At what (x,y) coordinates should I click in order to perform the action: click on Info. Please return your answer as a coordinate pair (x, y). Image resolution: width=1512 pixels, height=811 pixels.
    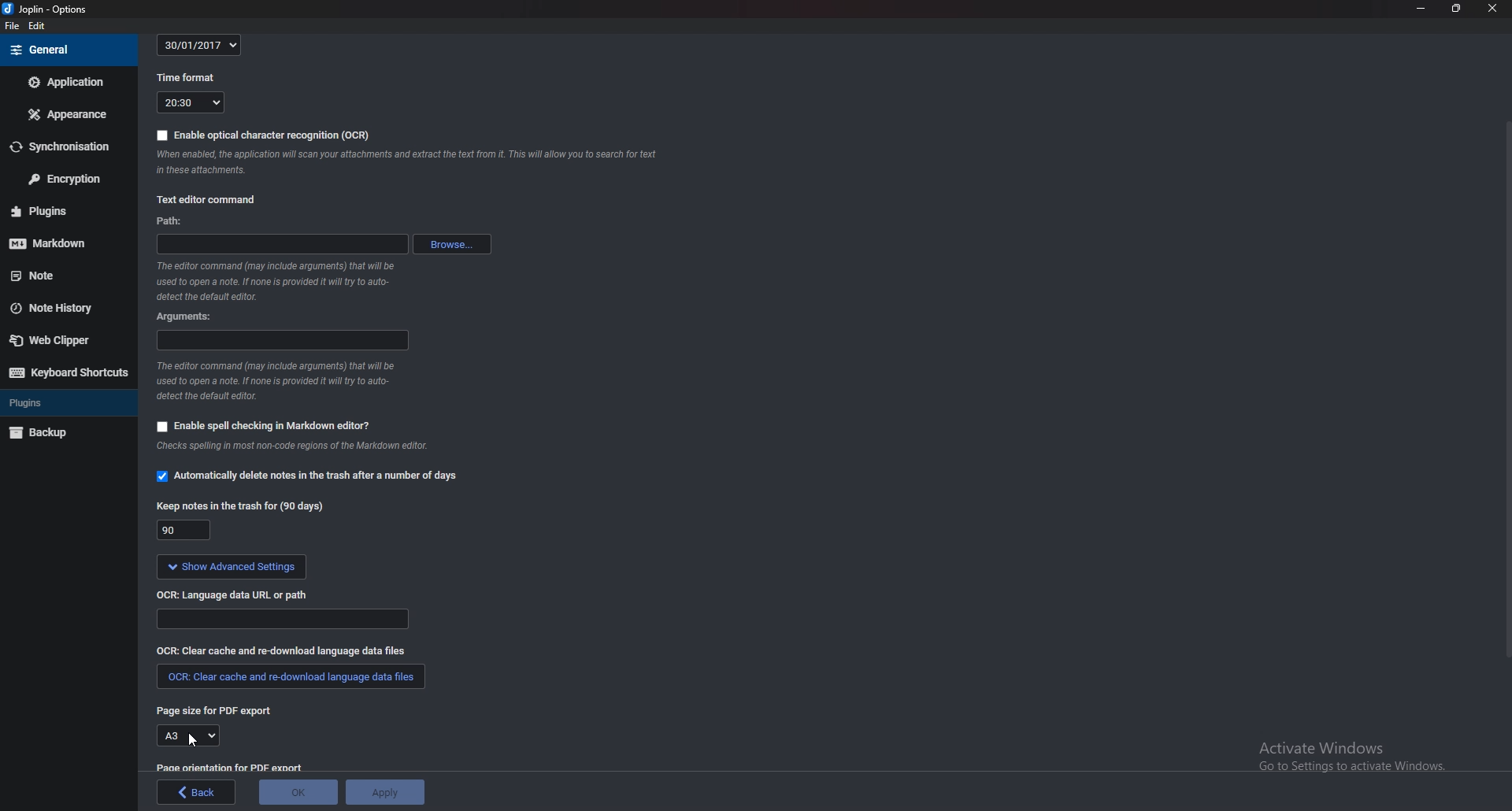
    Looking at the image, I should click on (410, 162).